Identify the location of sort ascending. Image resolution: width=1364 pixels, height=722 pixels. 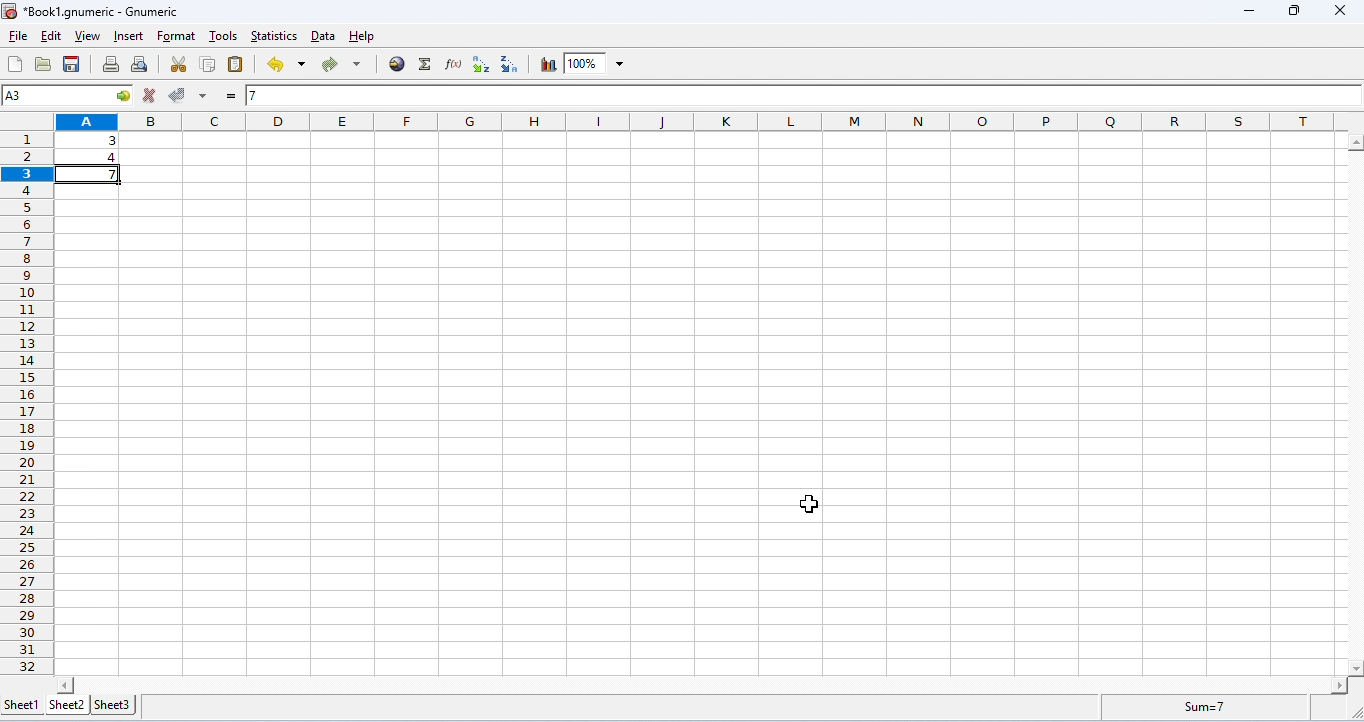
(483, 64).